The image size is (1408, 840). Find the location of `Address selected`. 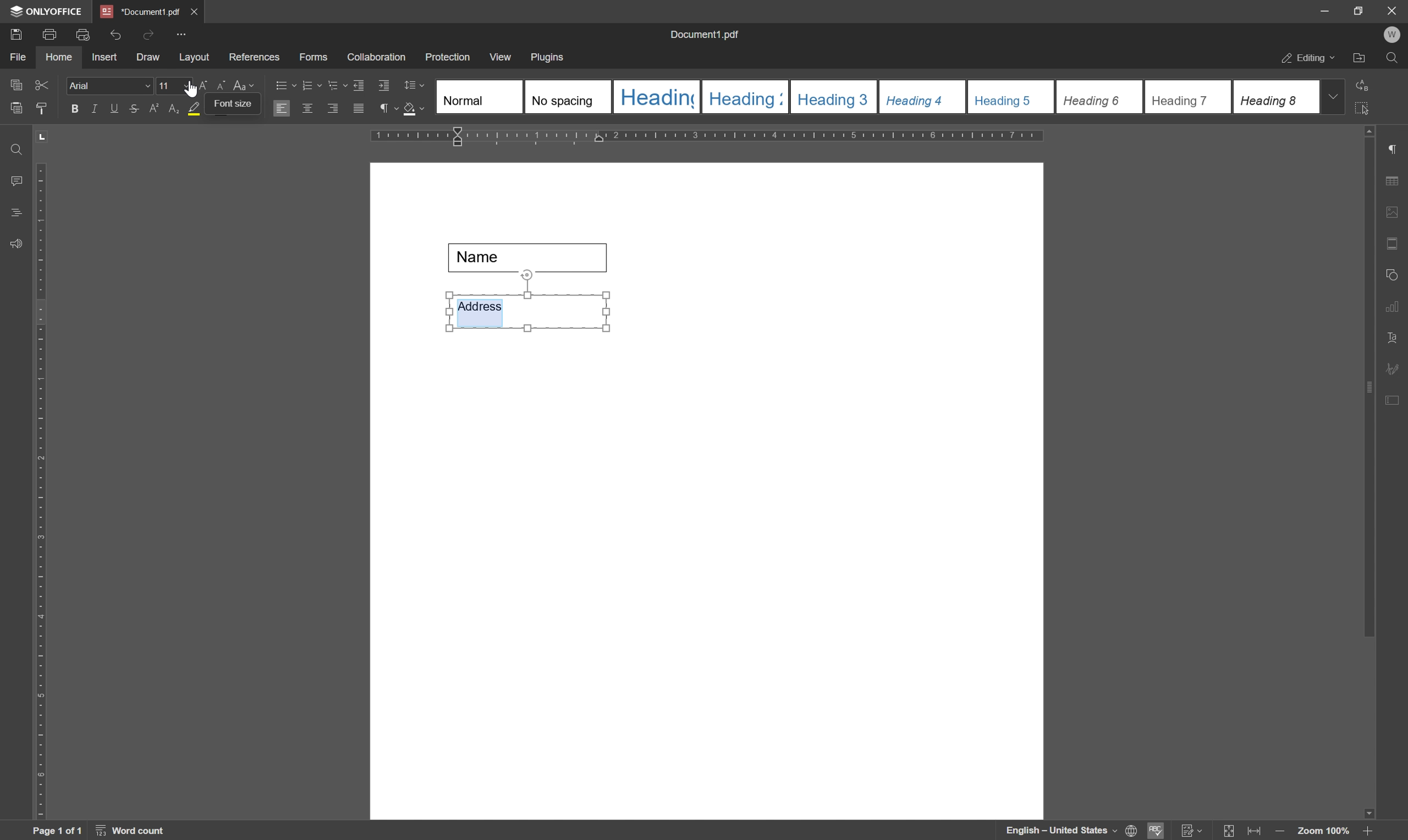

Address selected is located at coordinates (481, 311).